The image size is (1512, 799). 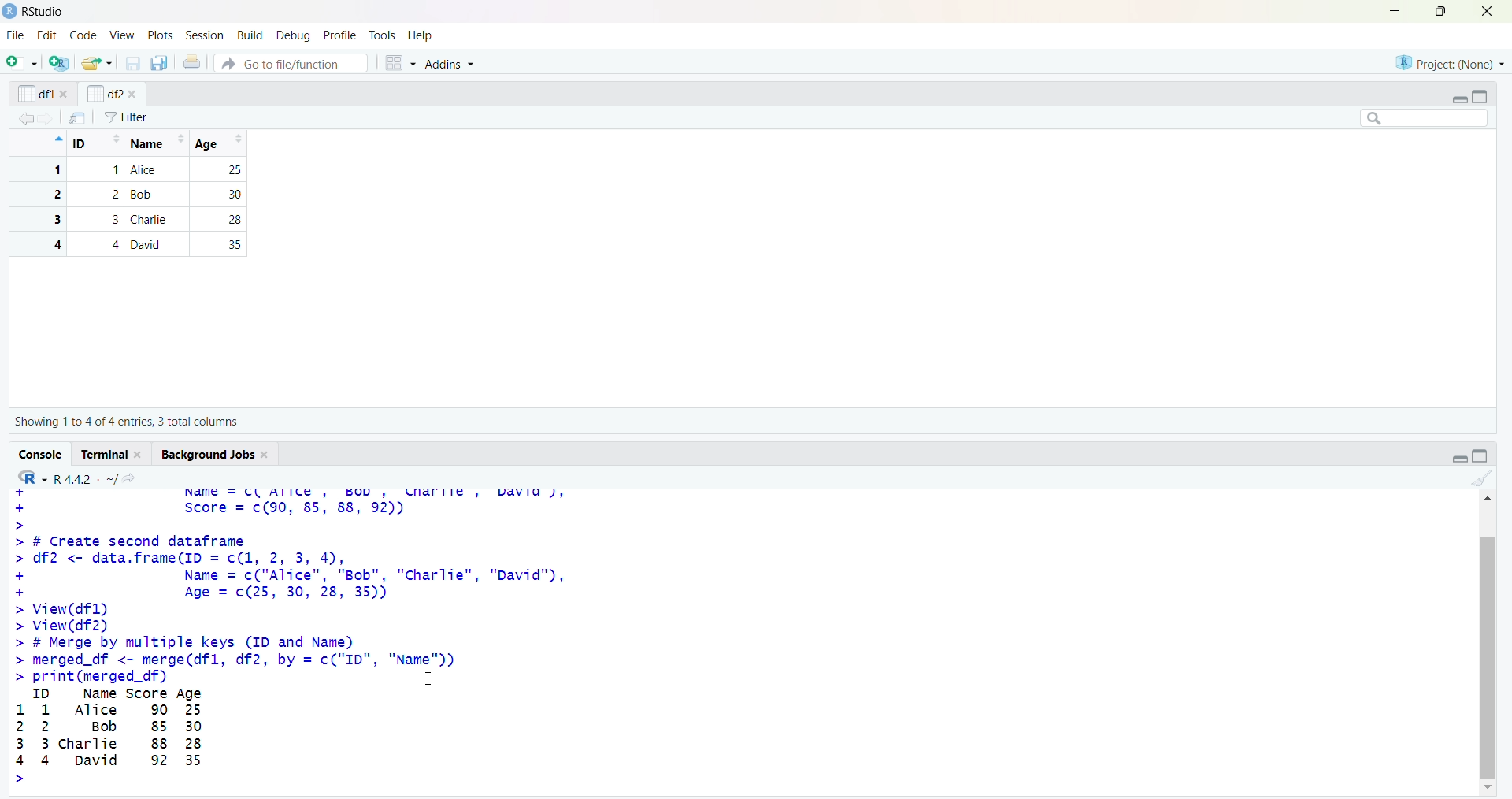 What do you see at coordinates (448, 63) in the screenshot?
I see `Addins ` at bounding box center [448, 63].